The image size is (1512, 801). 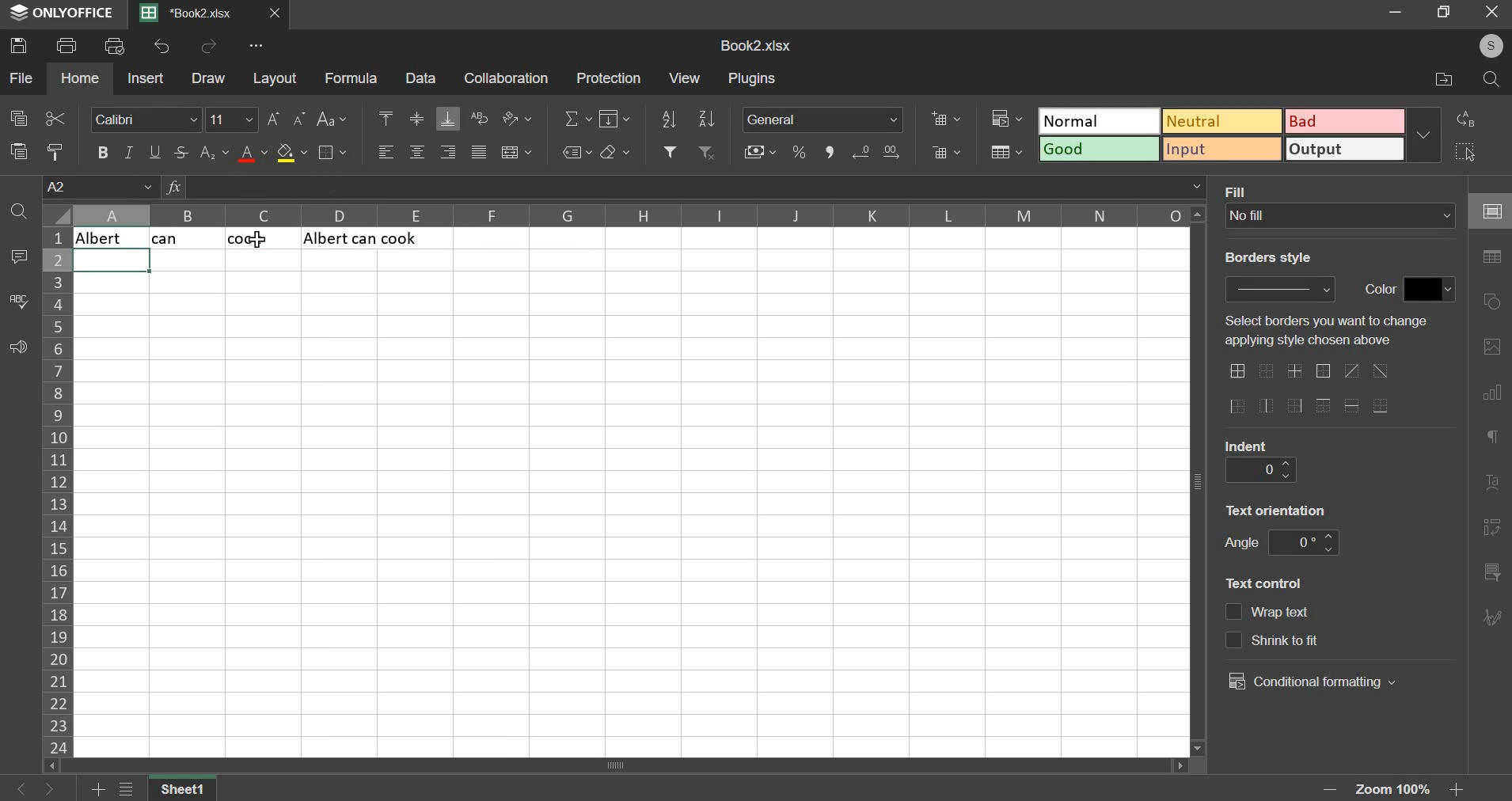 What do you see at coordinates (1491, 439) in the screenshot?
I see `paragraph` at bounding box center [1491, 439].